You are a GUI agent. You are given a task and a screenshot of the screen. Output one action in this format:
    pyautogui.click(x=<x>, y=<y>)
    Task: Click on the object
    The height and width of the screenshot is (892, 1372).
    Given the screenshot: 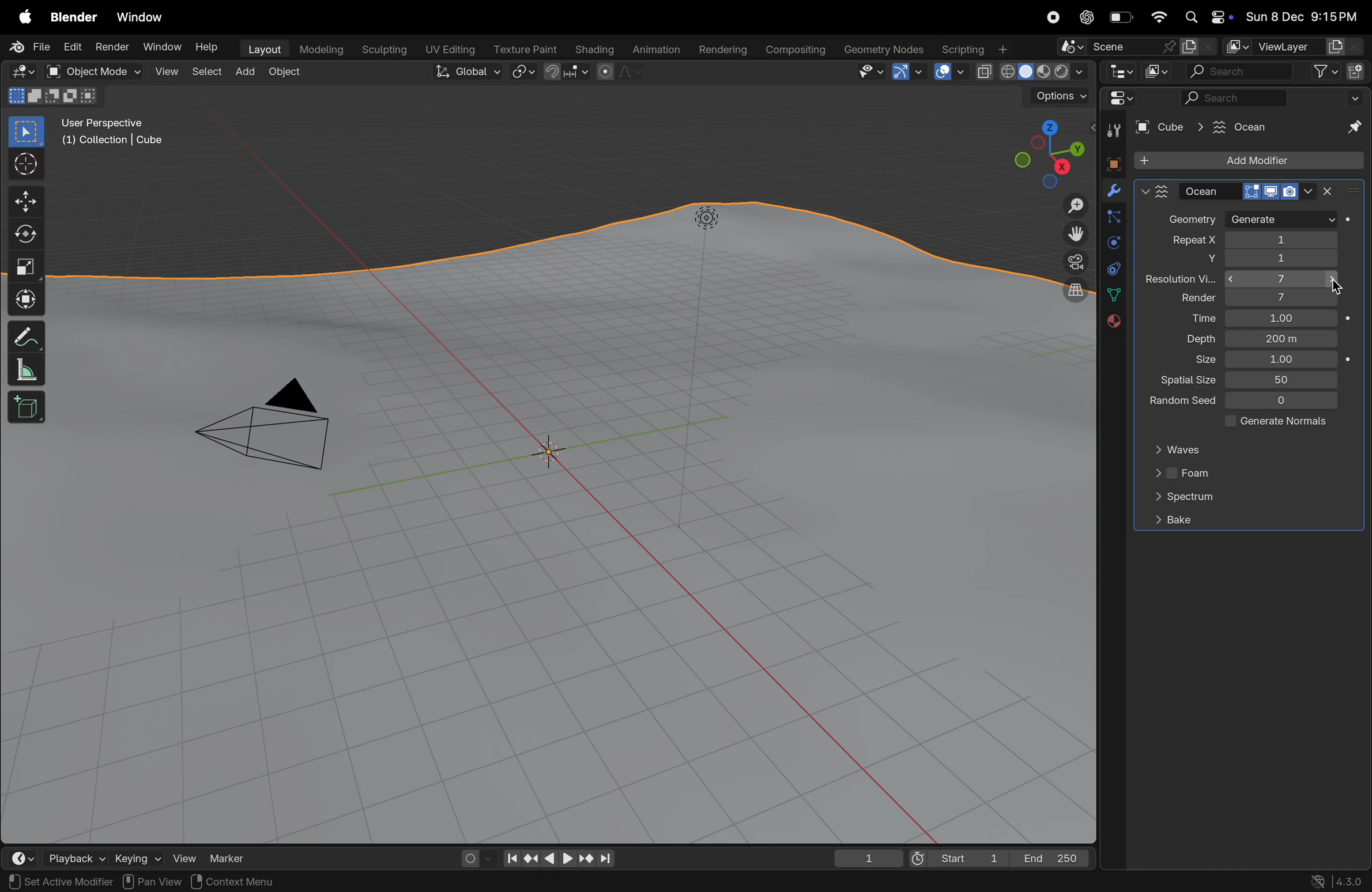 What is the action you would take?
    pyautogui.click(x=290, y=74)
    